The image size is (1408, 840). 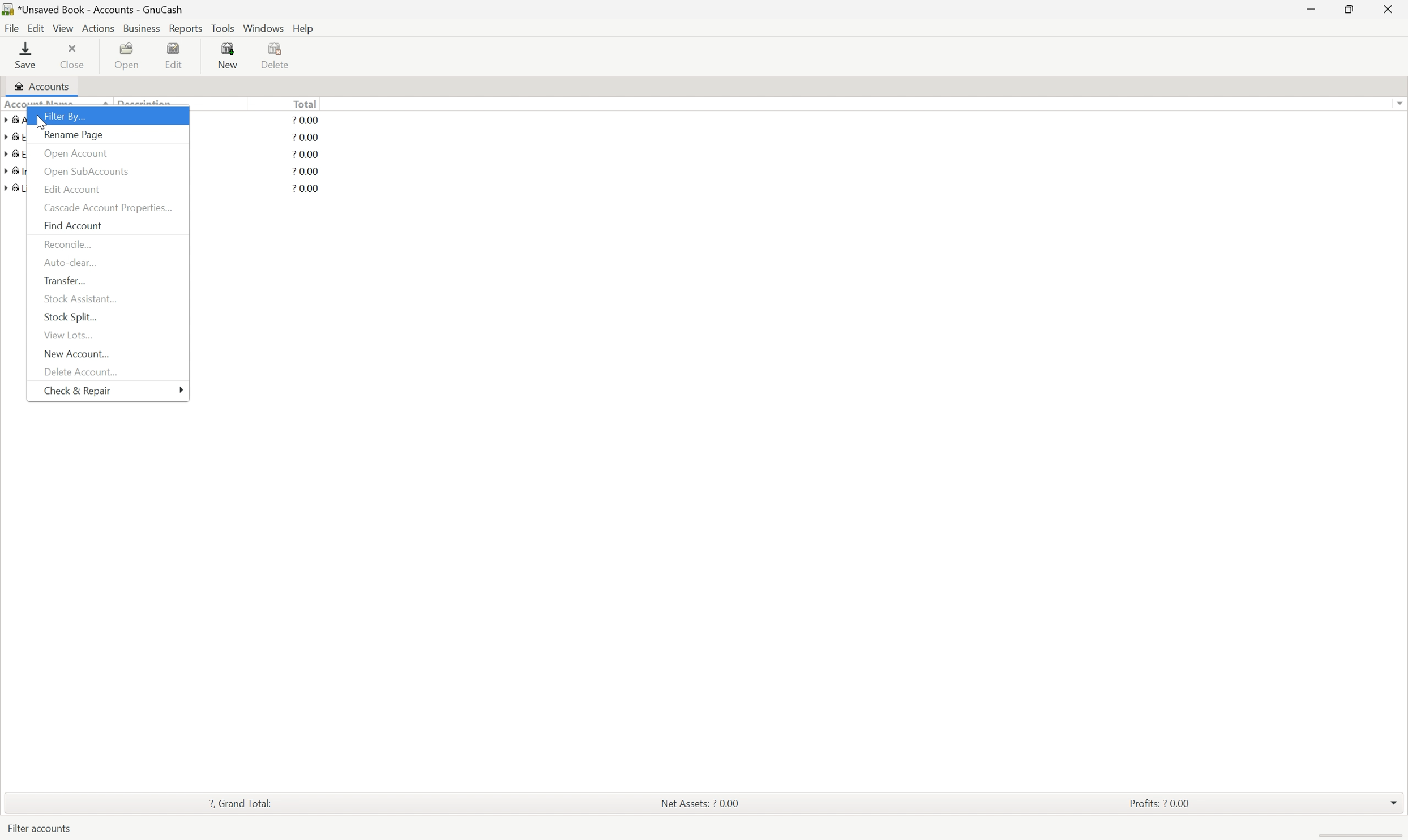 What do you see at coordinates (1311, 10) in the screenshot?
I see `Minimize` at bounding box center [1311, 10].